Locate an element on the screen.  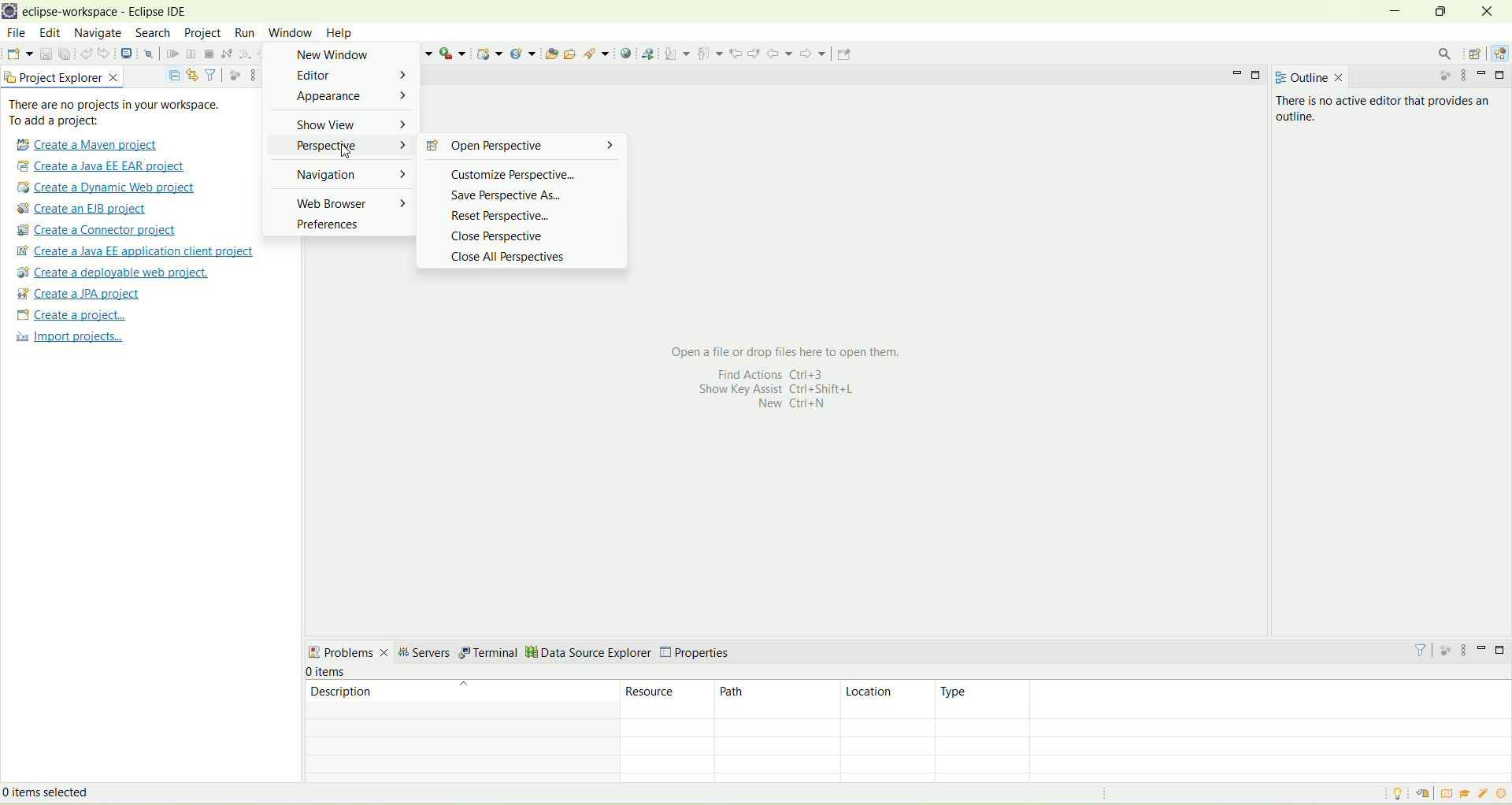
open perspective is located at coordinates (521, 147).